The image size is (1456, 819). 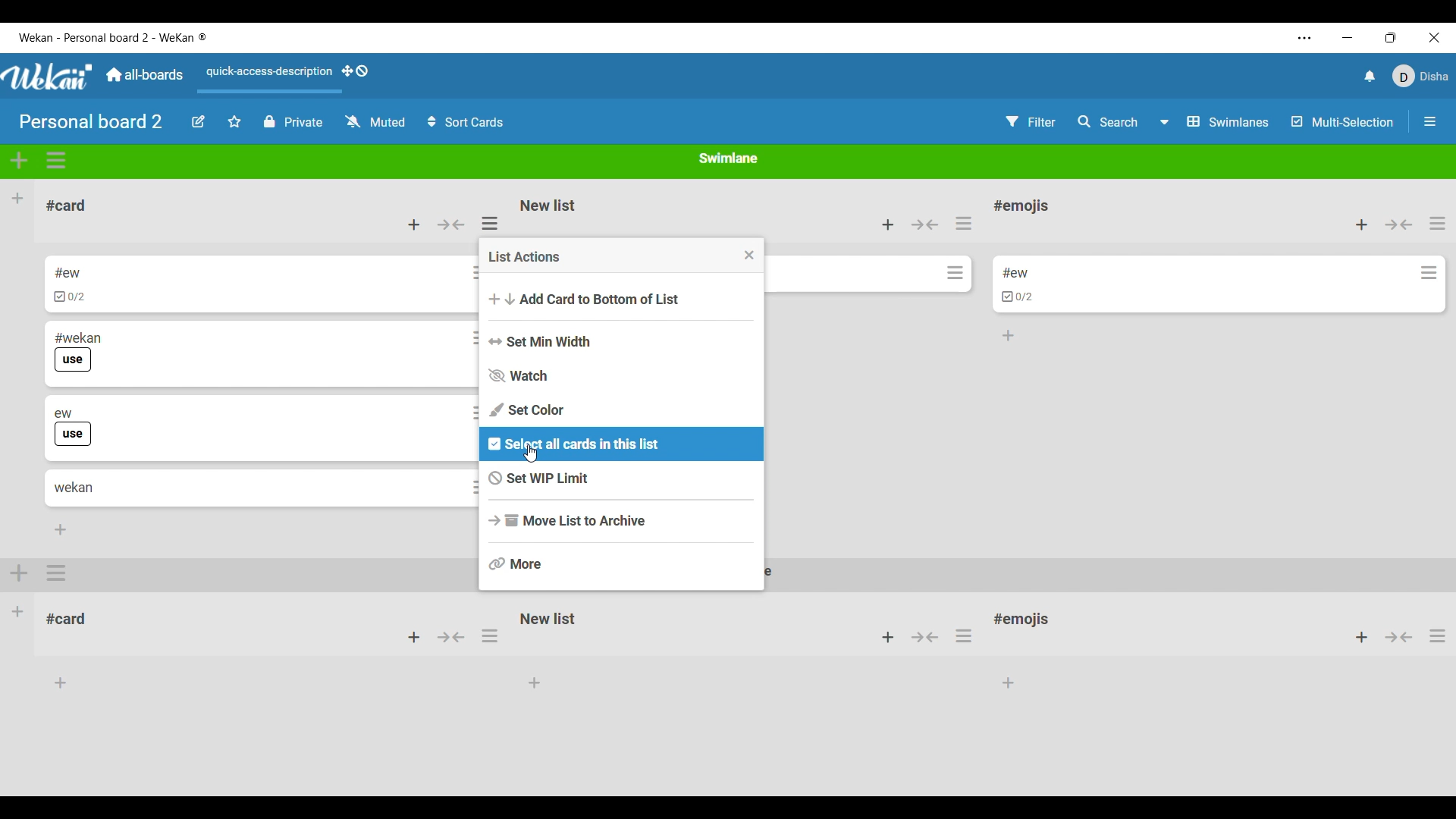 I want to click on Go to main dashboard, so click(x=144, y=75).